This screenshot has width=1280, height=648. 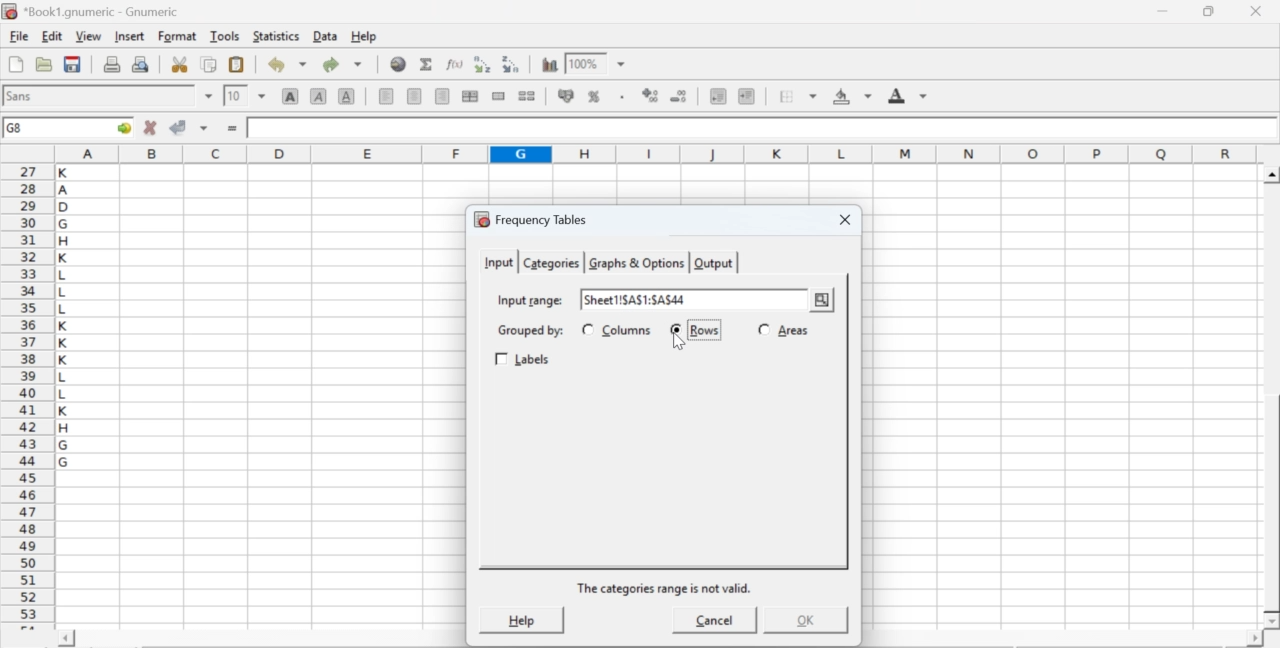 I want to click on Rows, so click(x=705, y=331).